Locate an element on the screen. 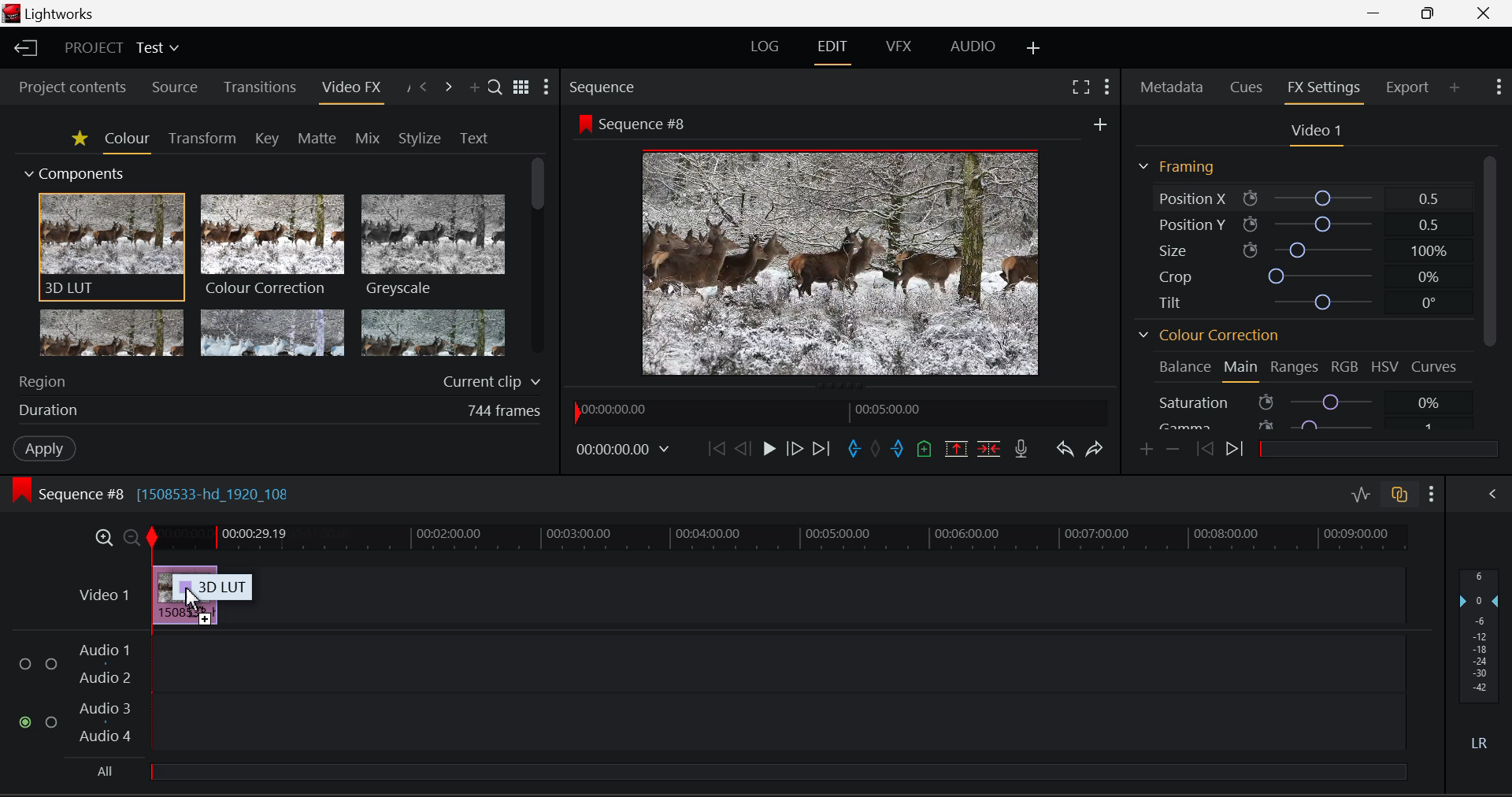 This screenshot has height=797, width=1512. Mark Cue is located at coordinates (923, 448).